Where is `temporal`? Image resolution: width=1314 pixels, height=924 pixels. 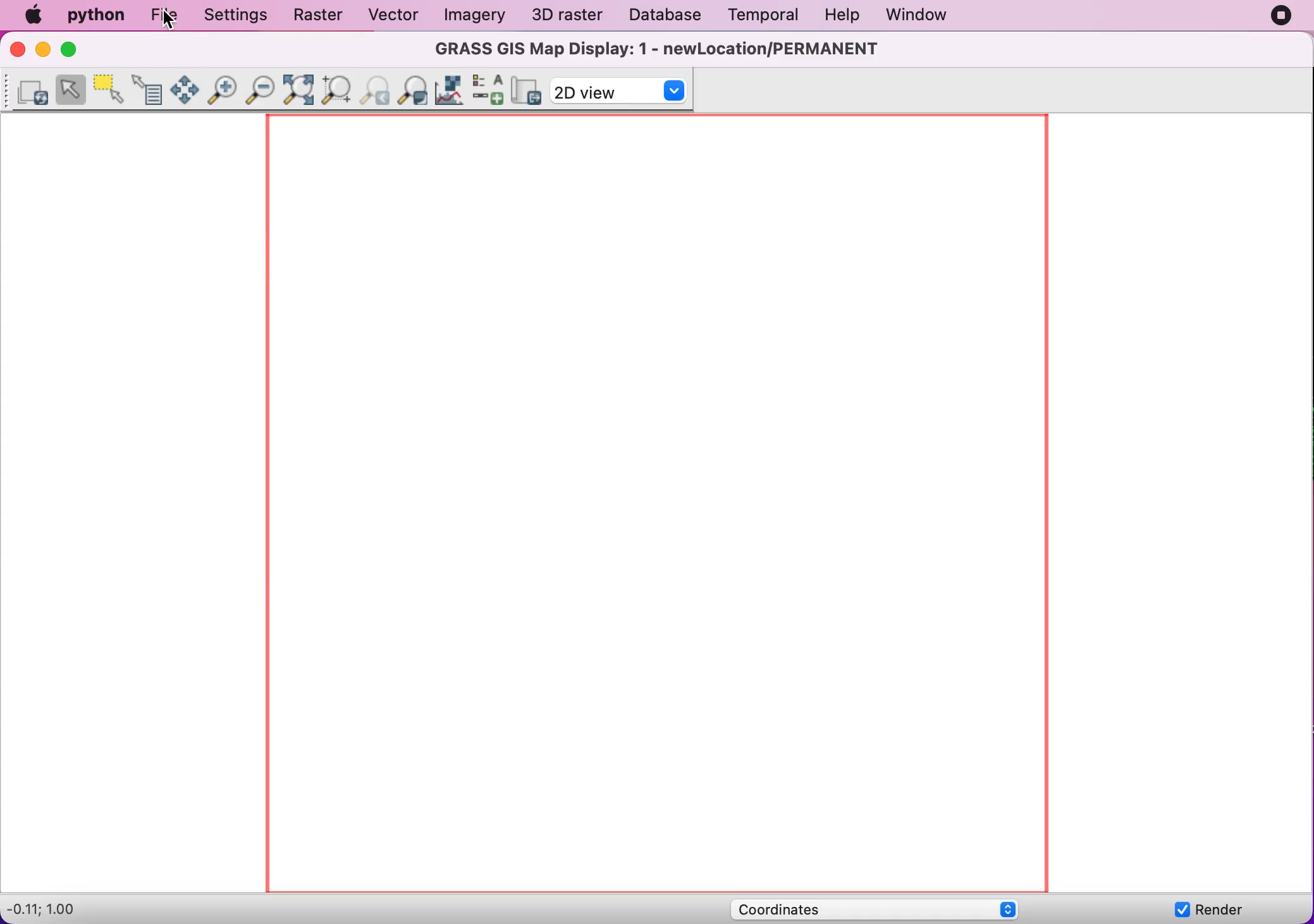 temporal is located at coordinates (770, 17).